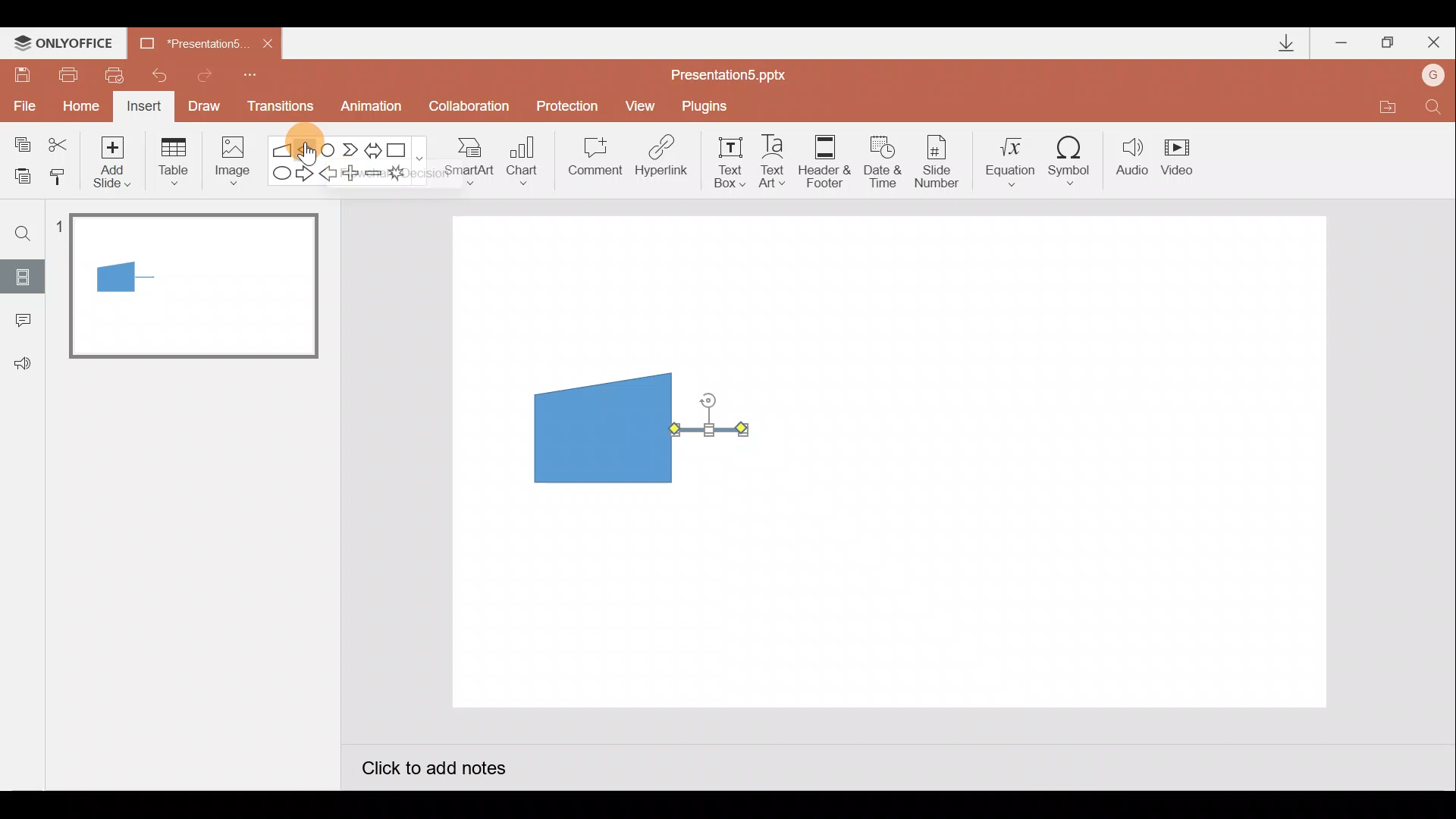  What do you see at coordinates (1433, 111) in the screenshot?
I see `Find` at bounding box center [1433, 111].